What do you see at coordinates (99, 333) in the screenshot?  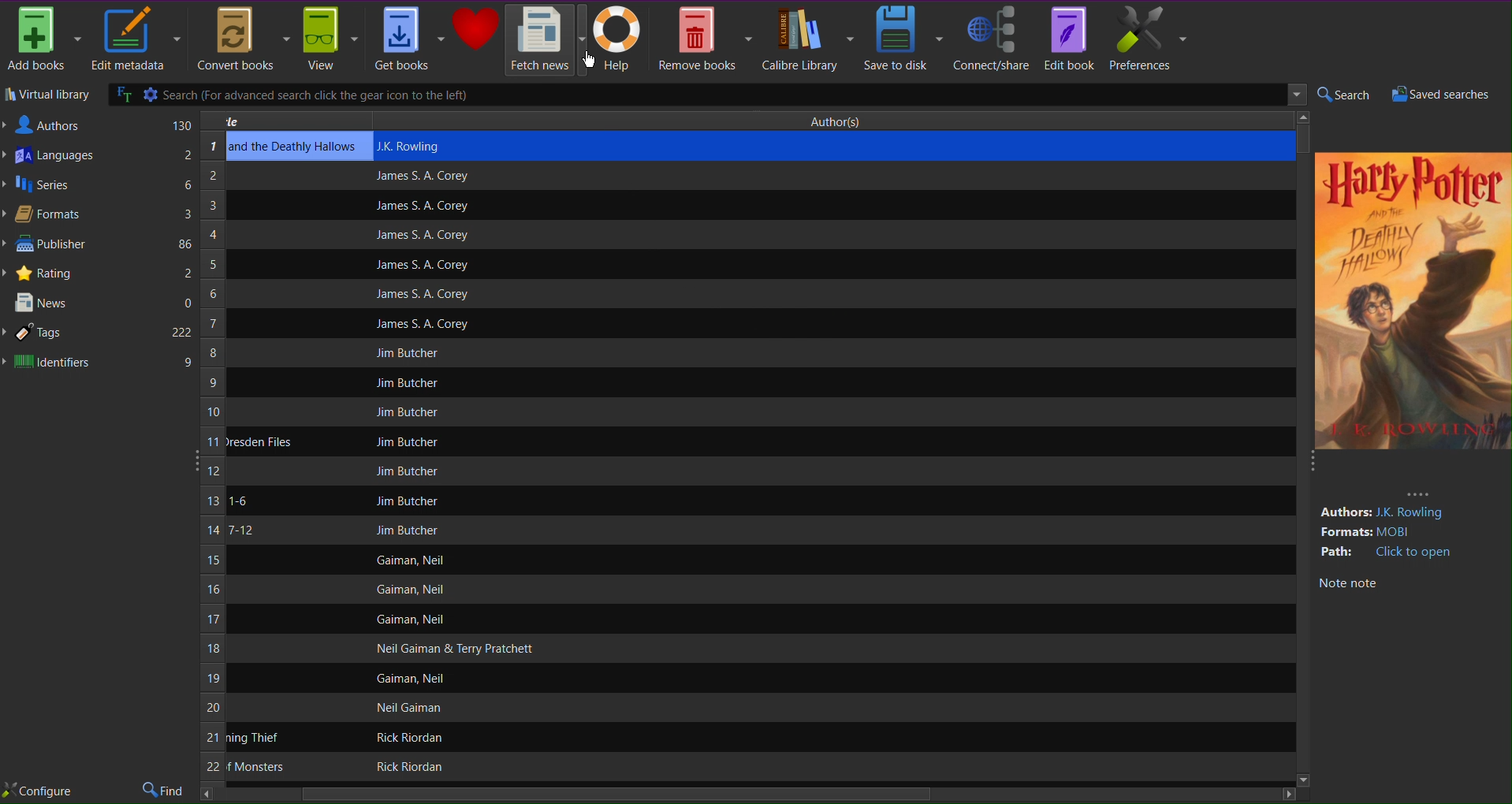 I see `Tags` at bounding box center [99, 333].